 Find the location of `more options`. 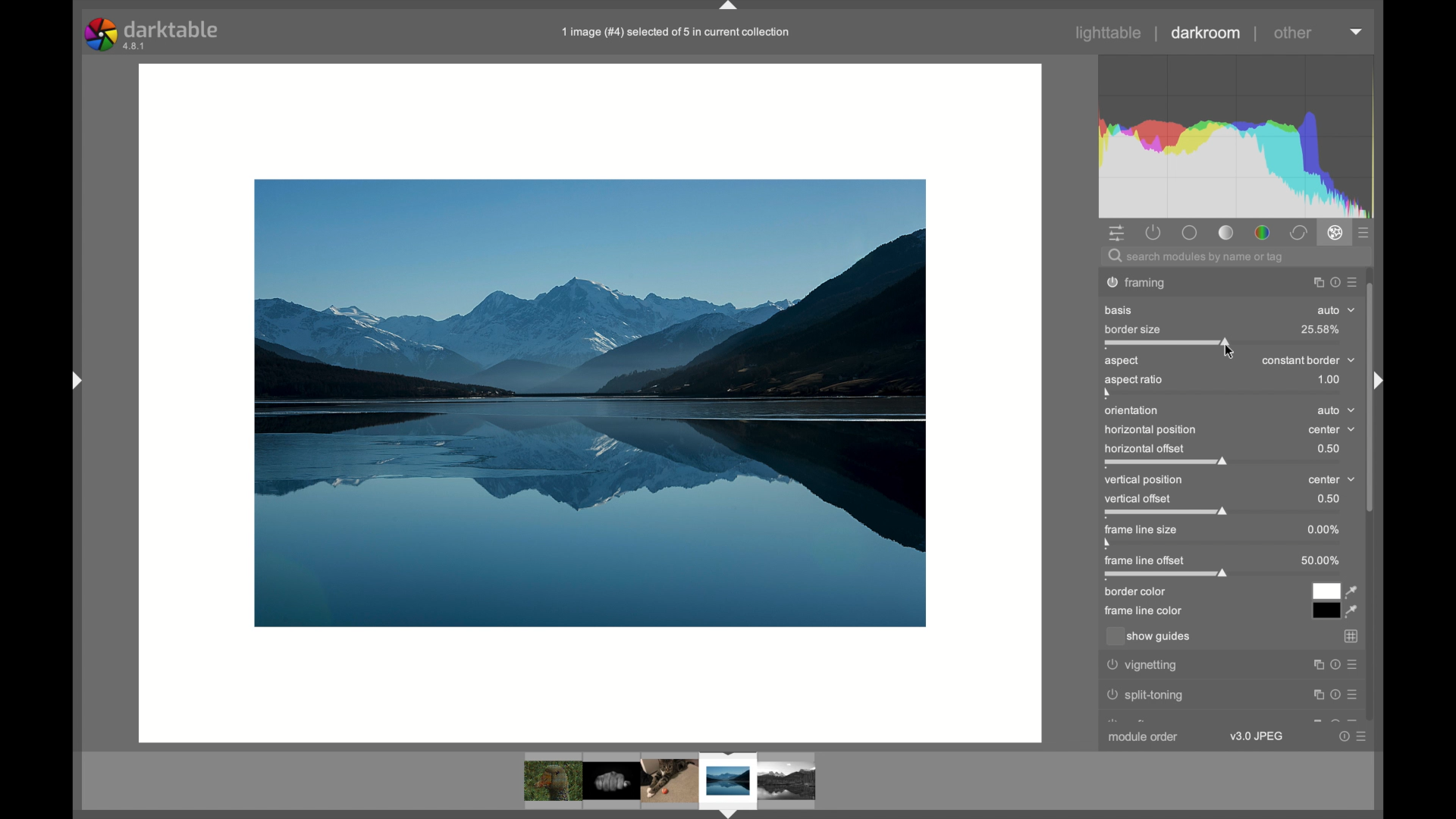

more options is located at coordinates (1353, 738).